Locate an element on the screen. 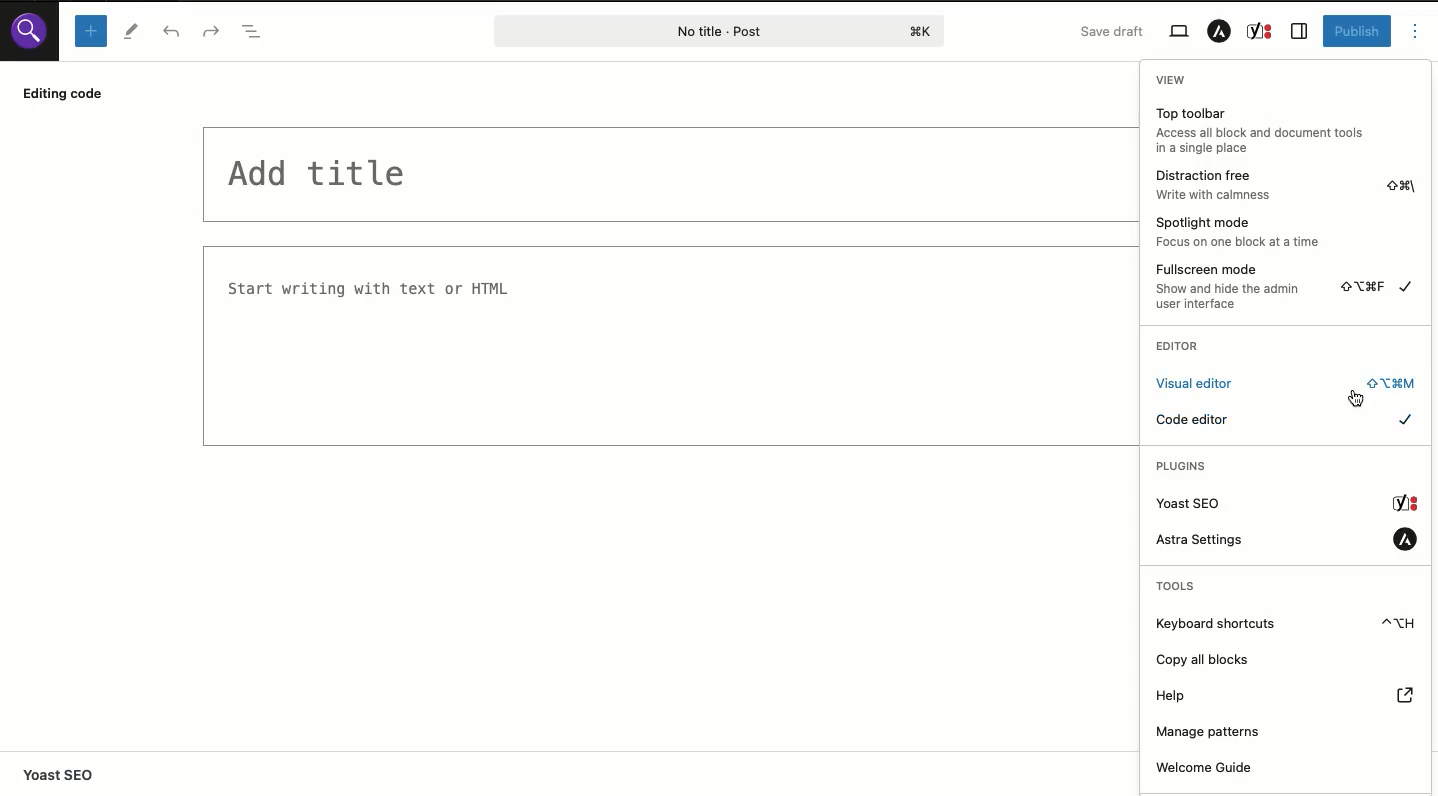 This screenshot has width=1438, height=796. Options is located at coordinates (1414, 31).